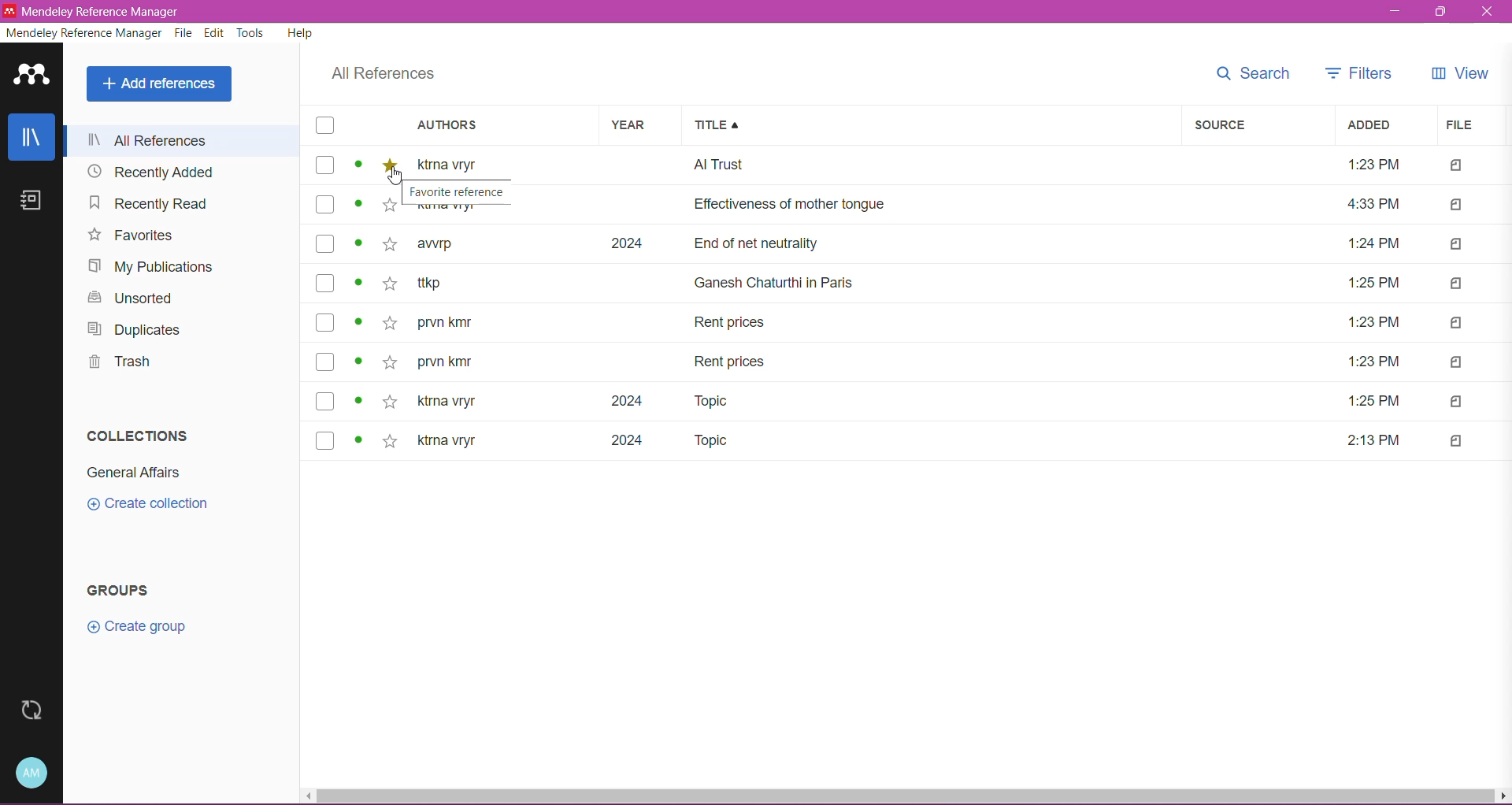  I want to click on Restore Down, so click(1440, 13).